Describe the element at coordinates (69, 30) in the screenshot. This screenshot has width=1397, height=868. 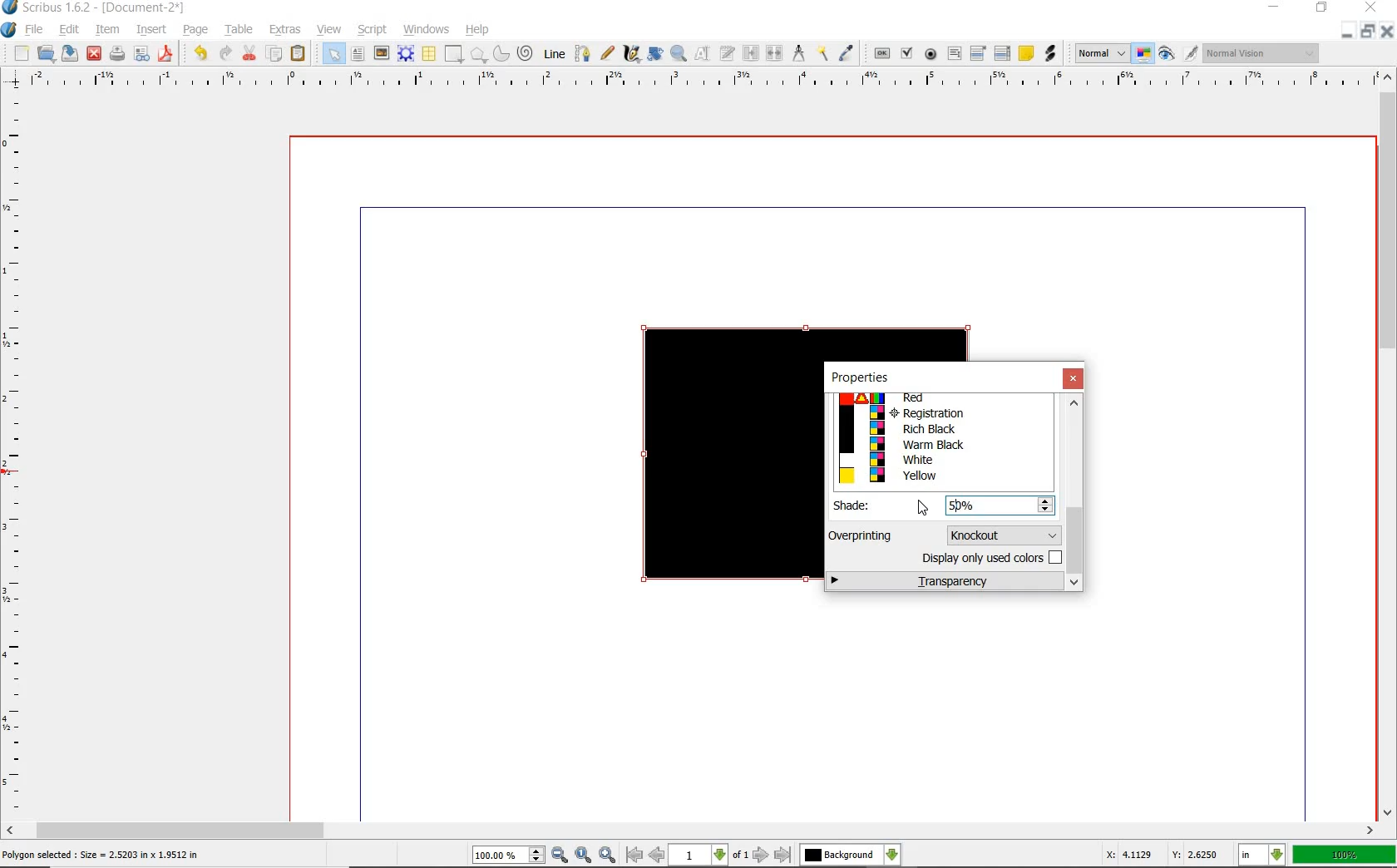
I see `edit` at that location.